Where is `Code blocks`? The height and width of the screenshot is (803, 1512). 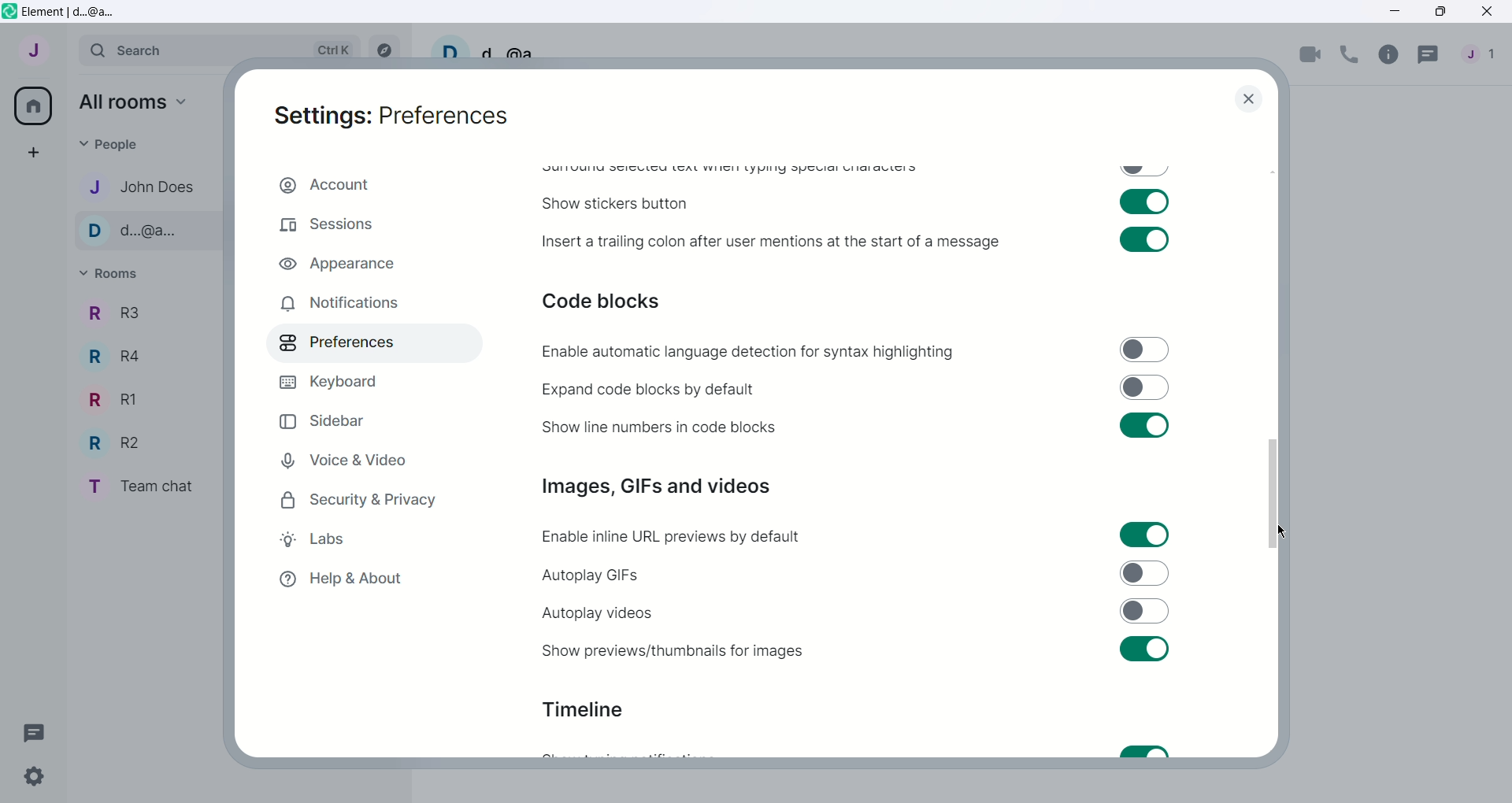 Code blocks is located at coordinates (602, 300).